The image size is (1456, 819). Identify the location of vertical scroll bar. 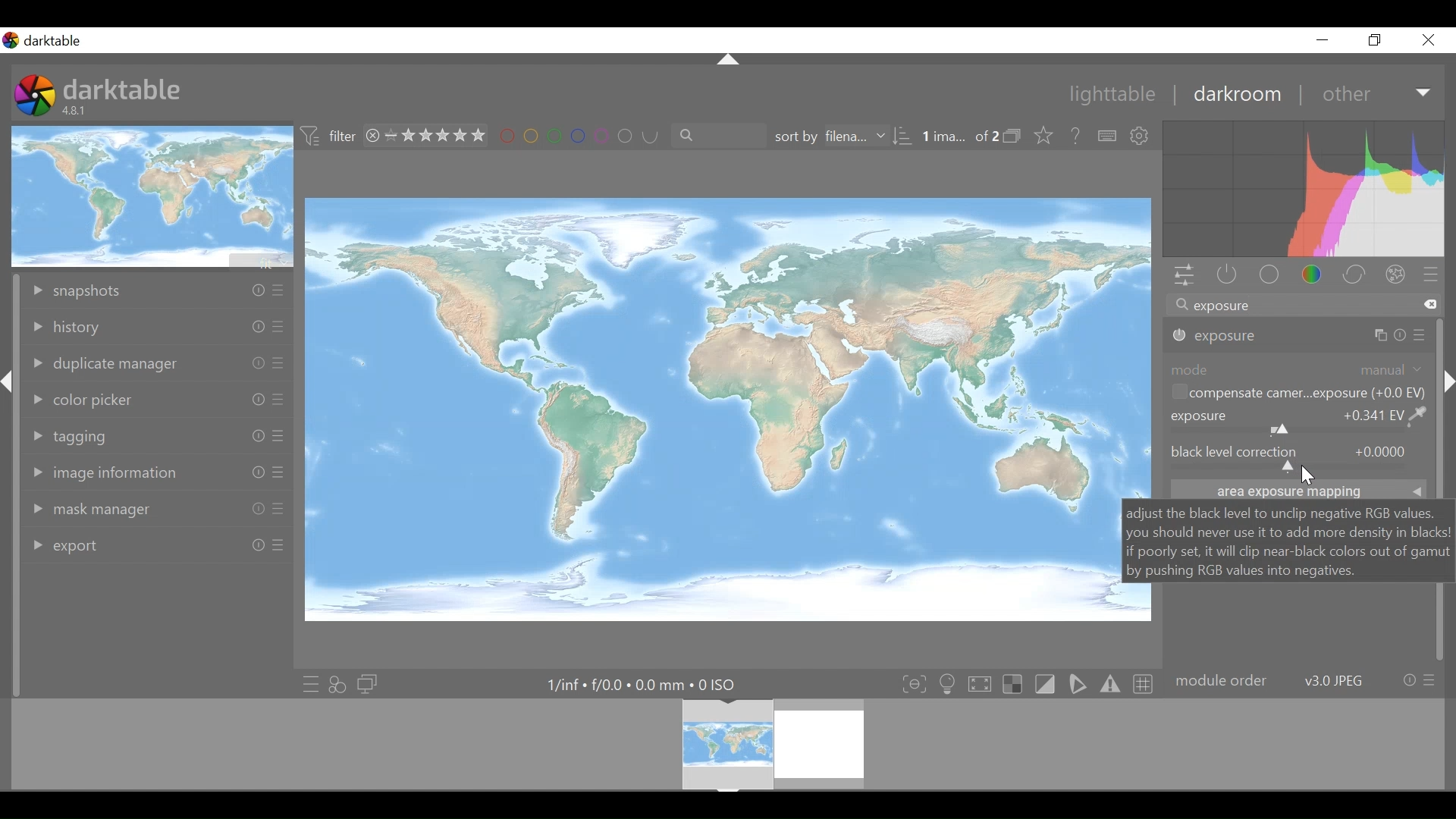
(1446, 381).